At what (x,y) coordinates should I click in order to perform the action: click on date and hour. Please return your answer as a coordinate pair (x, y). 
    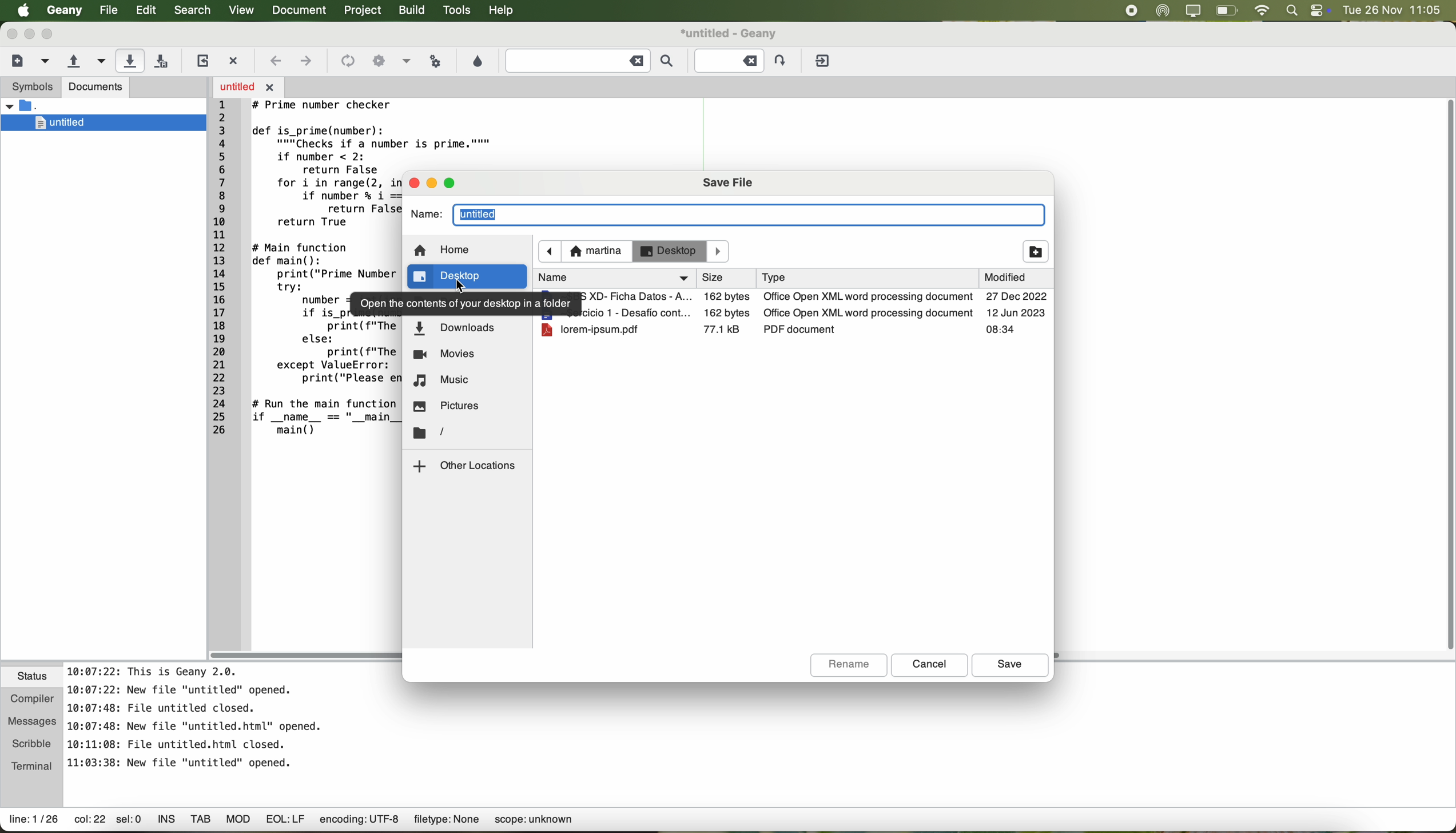
    Looking at the image, I should click on (1397, 10).